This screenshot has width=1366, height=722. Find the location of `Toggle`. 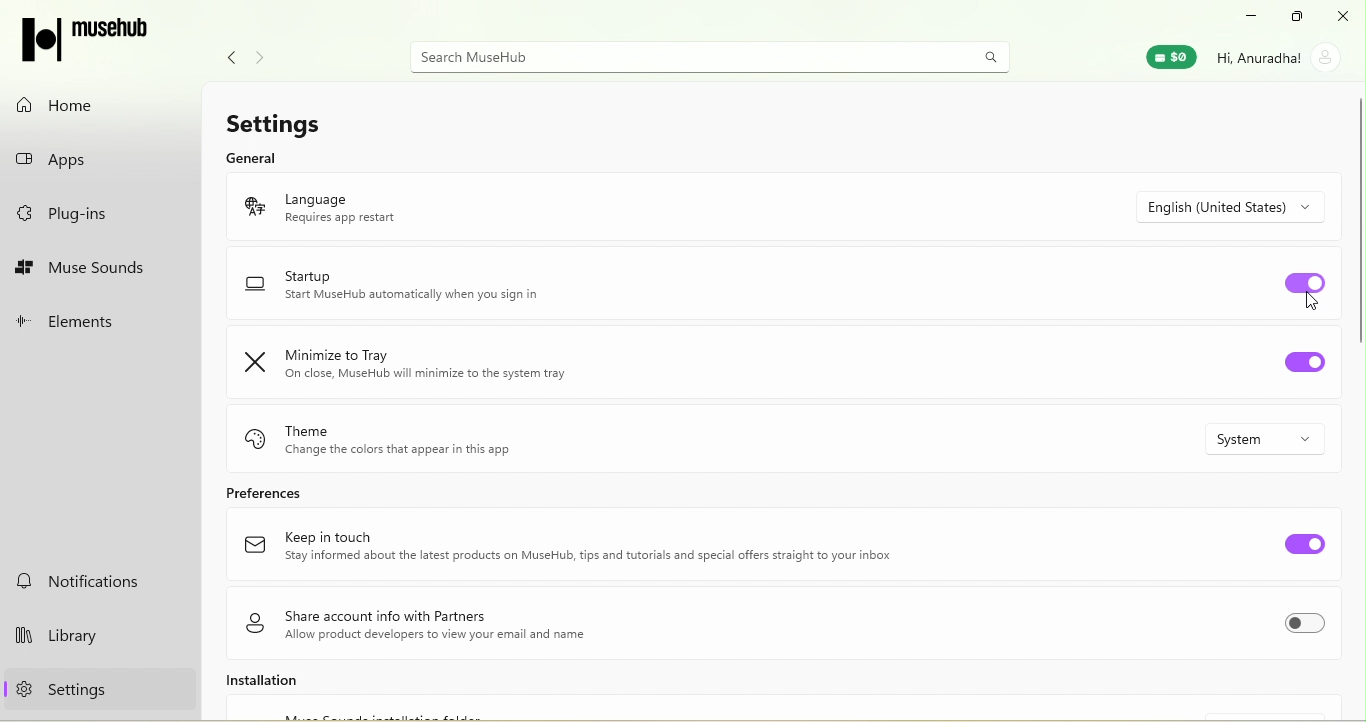

Toggle is located at coordinates (1304, 365).